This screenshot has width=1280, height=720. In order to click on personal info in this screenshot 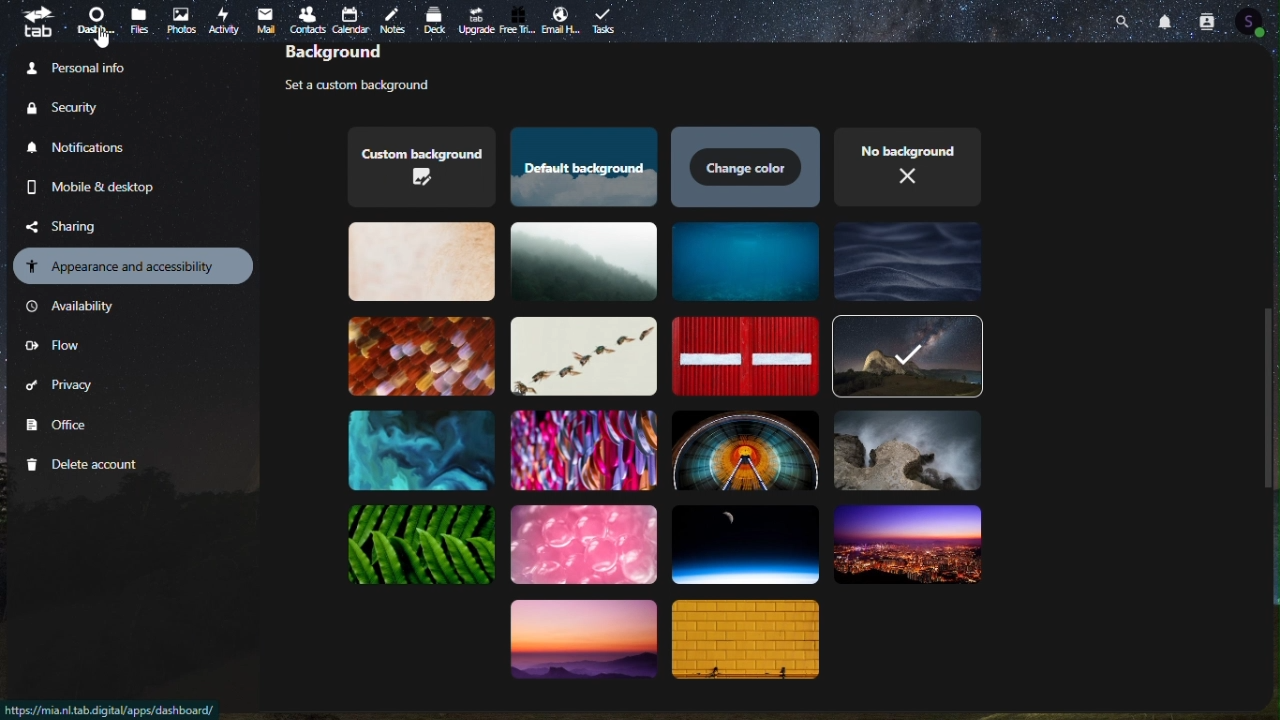, I will do `click(101, 66)`.